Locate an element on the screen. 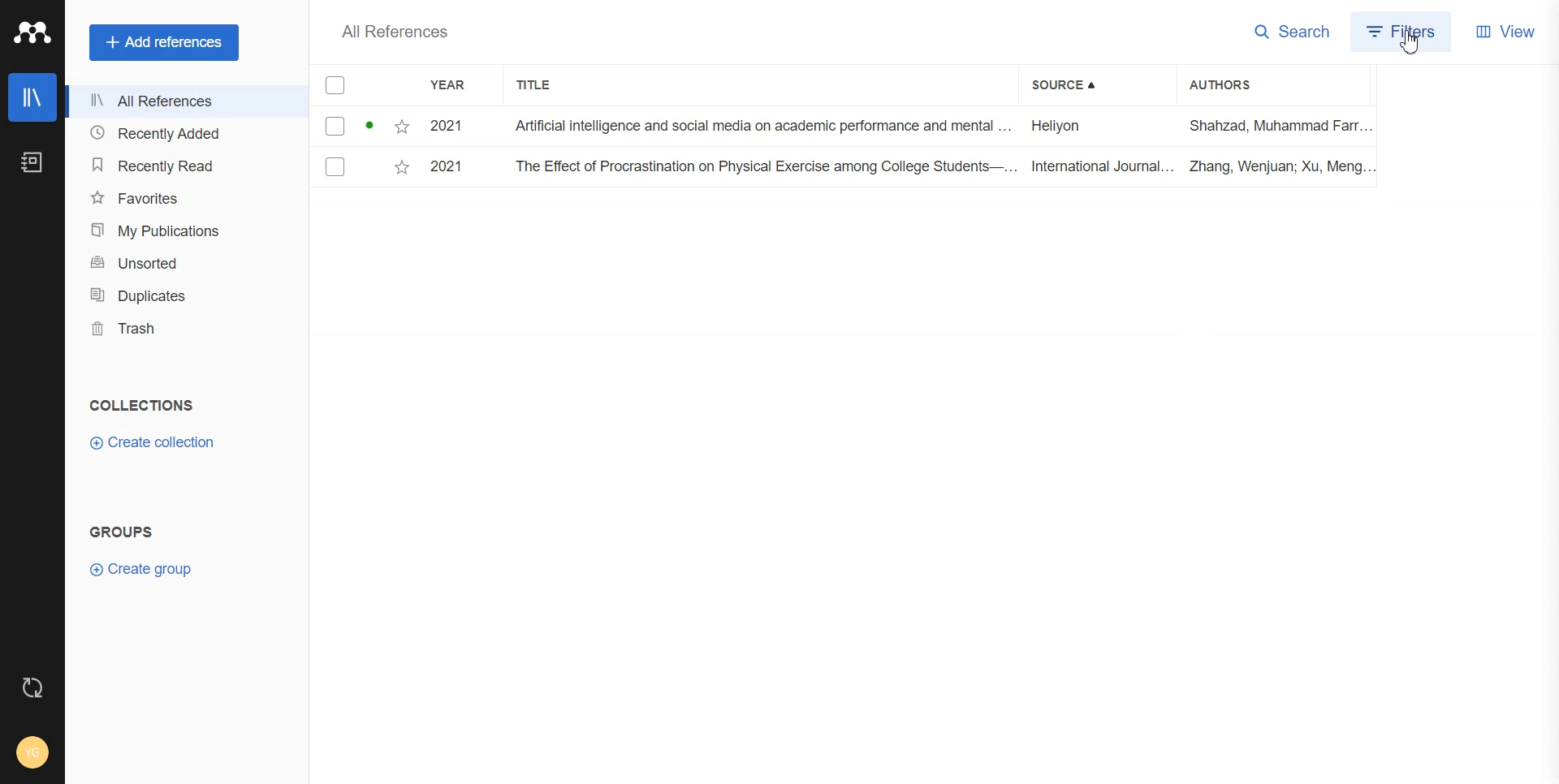  Search is located at coordinates (1291, 32).